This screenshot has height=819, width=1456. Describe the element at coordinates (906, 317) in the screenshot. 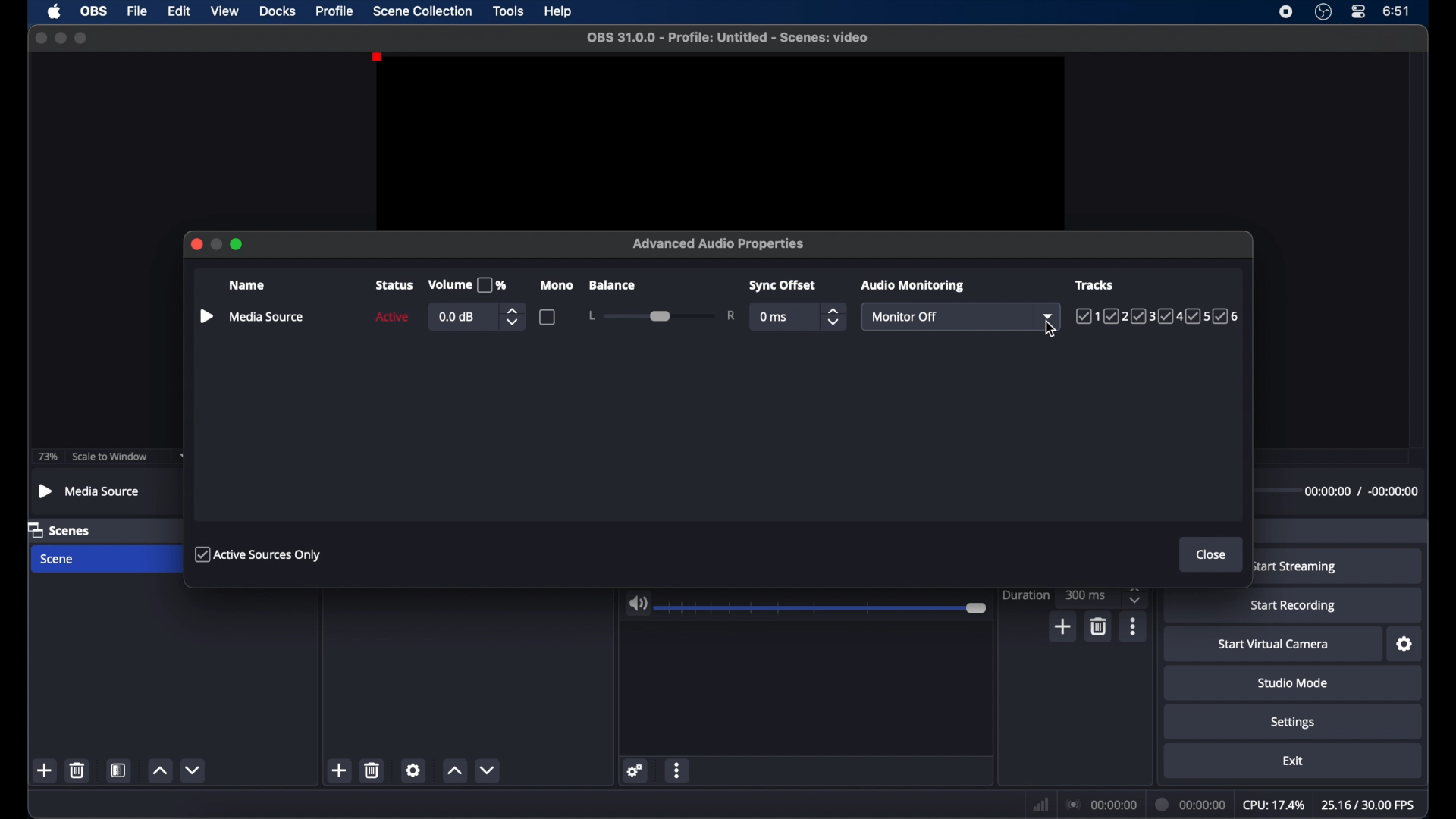

I see `monitor off` at that location.